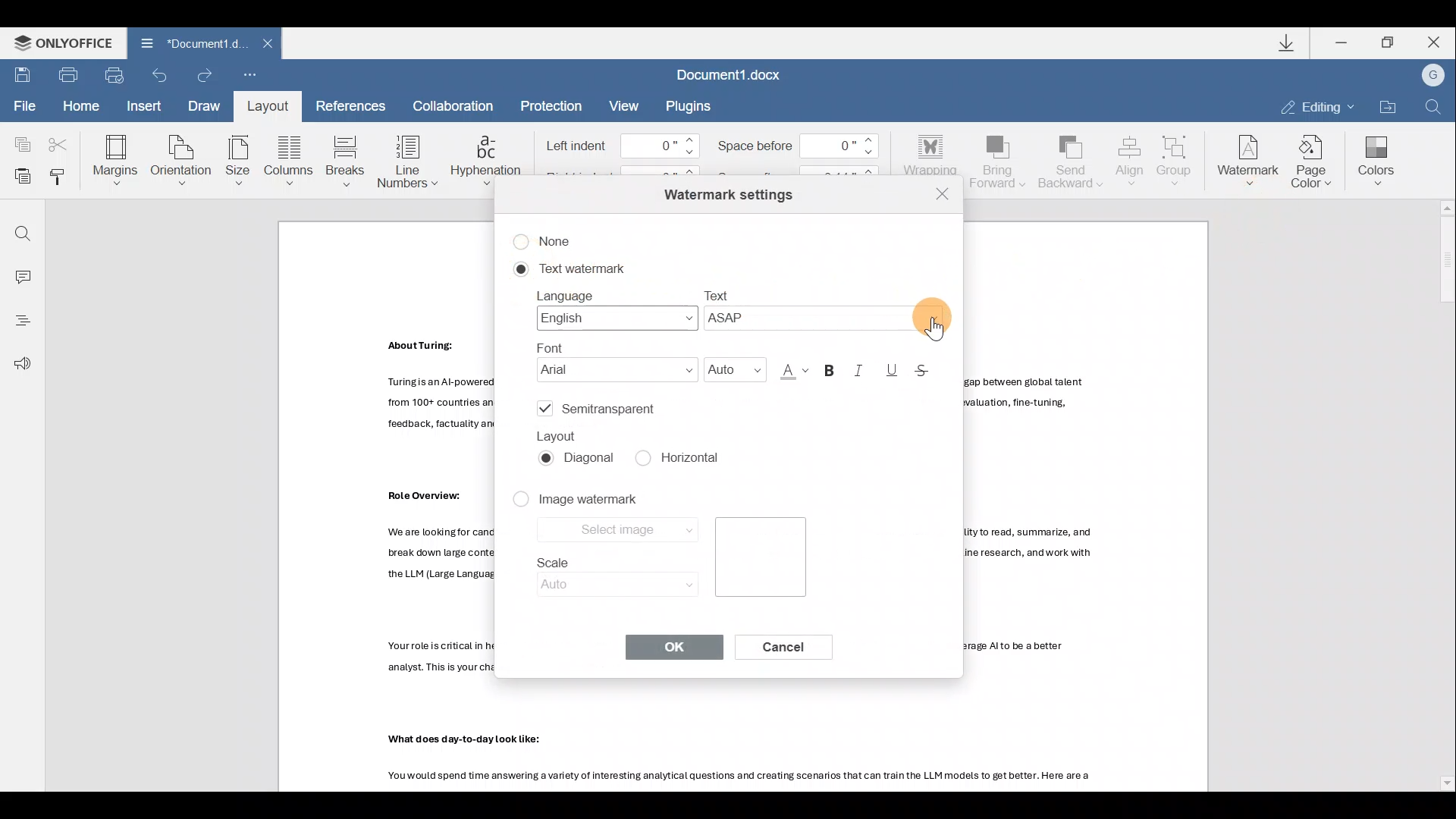 The height and width of the screenshot is (819, 1456). I want to click on Feedback & support, so click(21, 365).